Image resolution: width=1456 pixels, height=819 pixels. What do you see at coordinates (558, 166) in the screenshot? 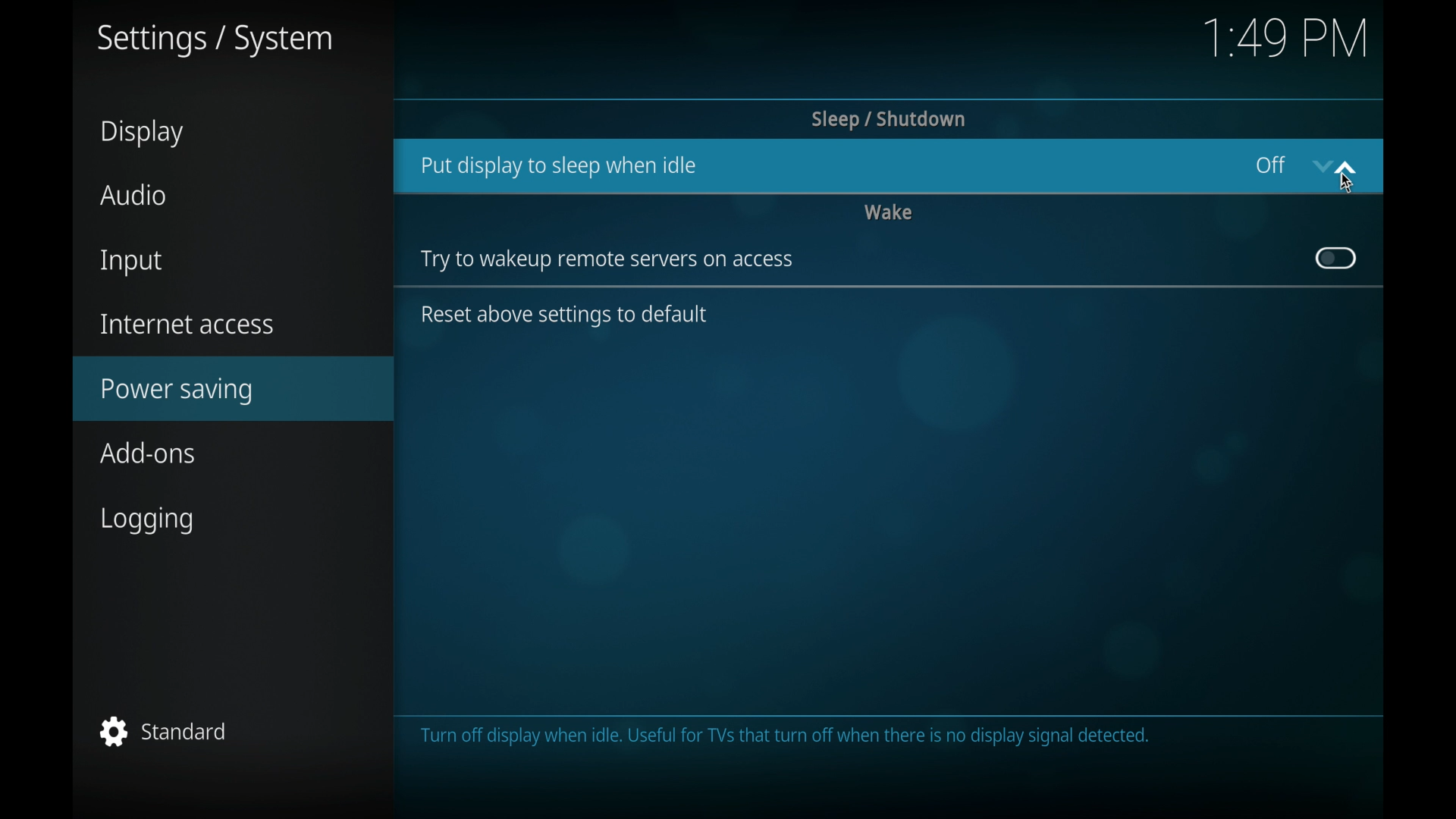
I see `put display to sleep when idle` at bounding box center [558, 166].